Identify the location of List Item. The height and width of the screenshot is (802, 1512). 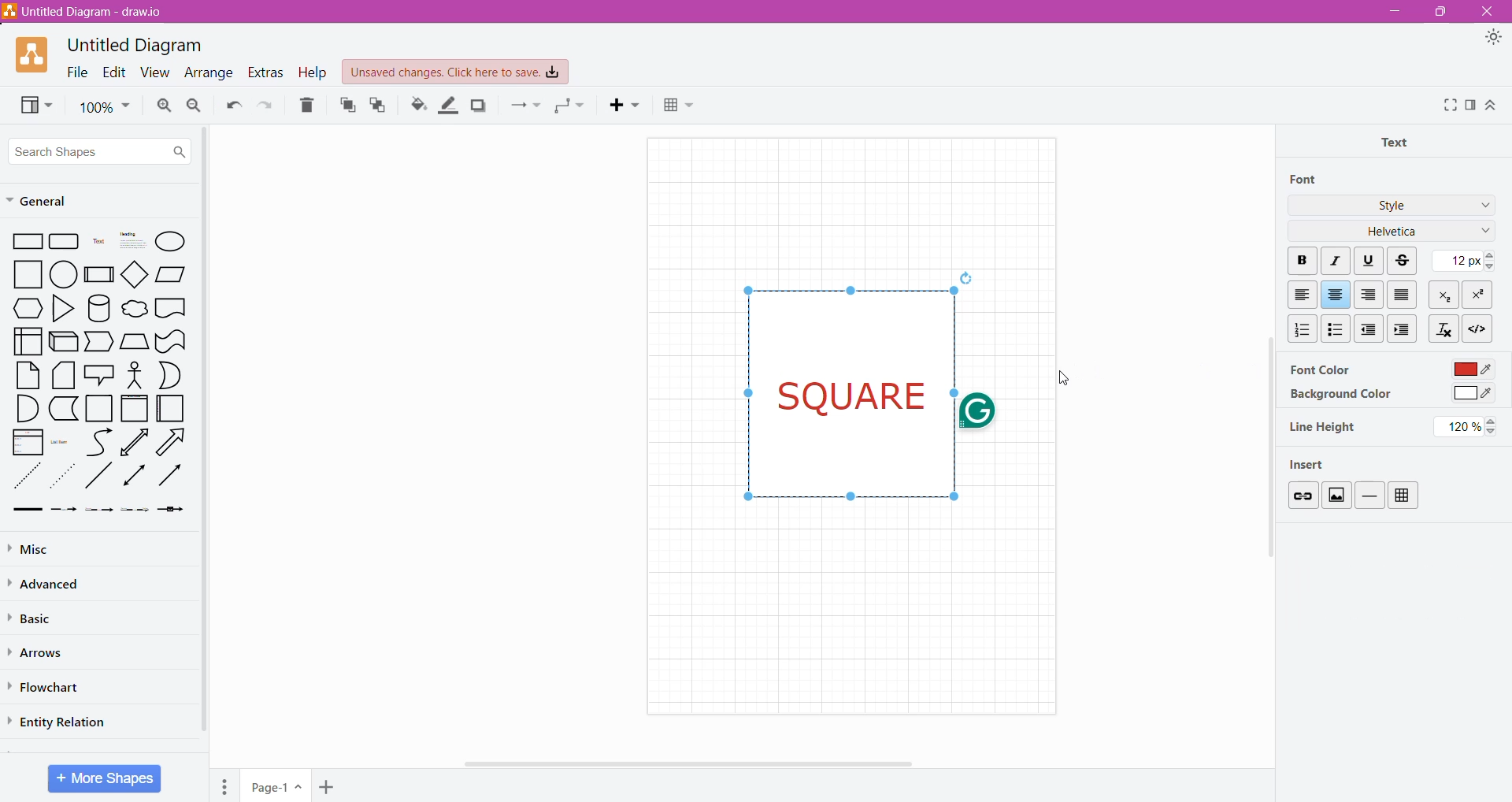
(63, 441).